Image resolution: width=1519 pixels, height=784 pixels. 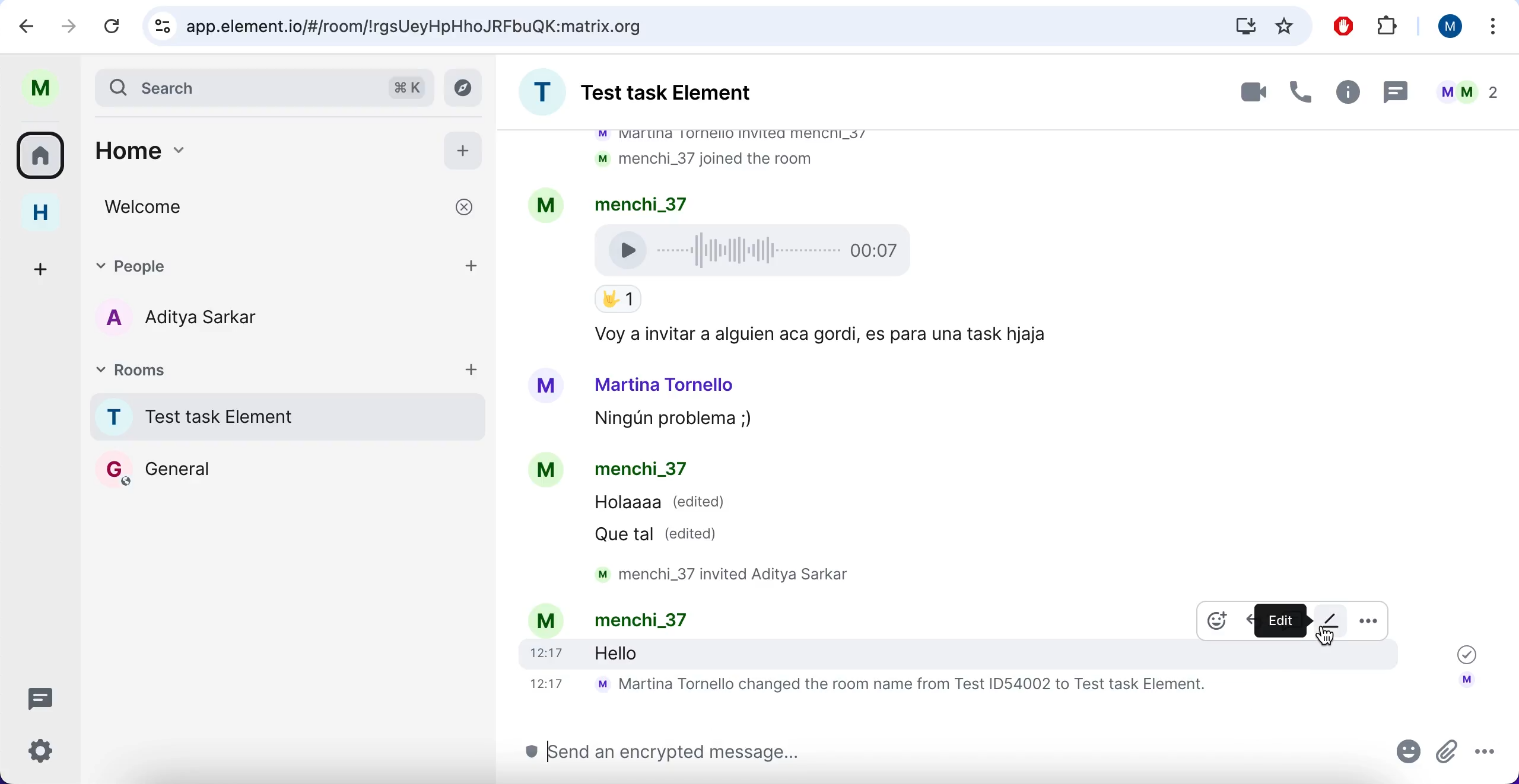 What do you see at coordinates (896, 687) in the screenshot?
I see `text` at bounding box center [896, 687].